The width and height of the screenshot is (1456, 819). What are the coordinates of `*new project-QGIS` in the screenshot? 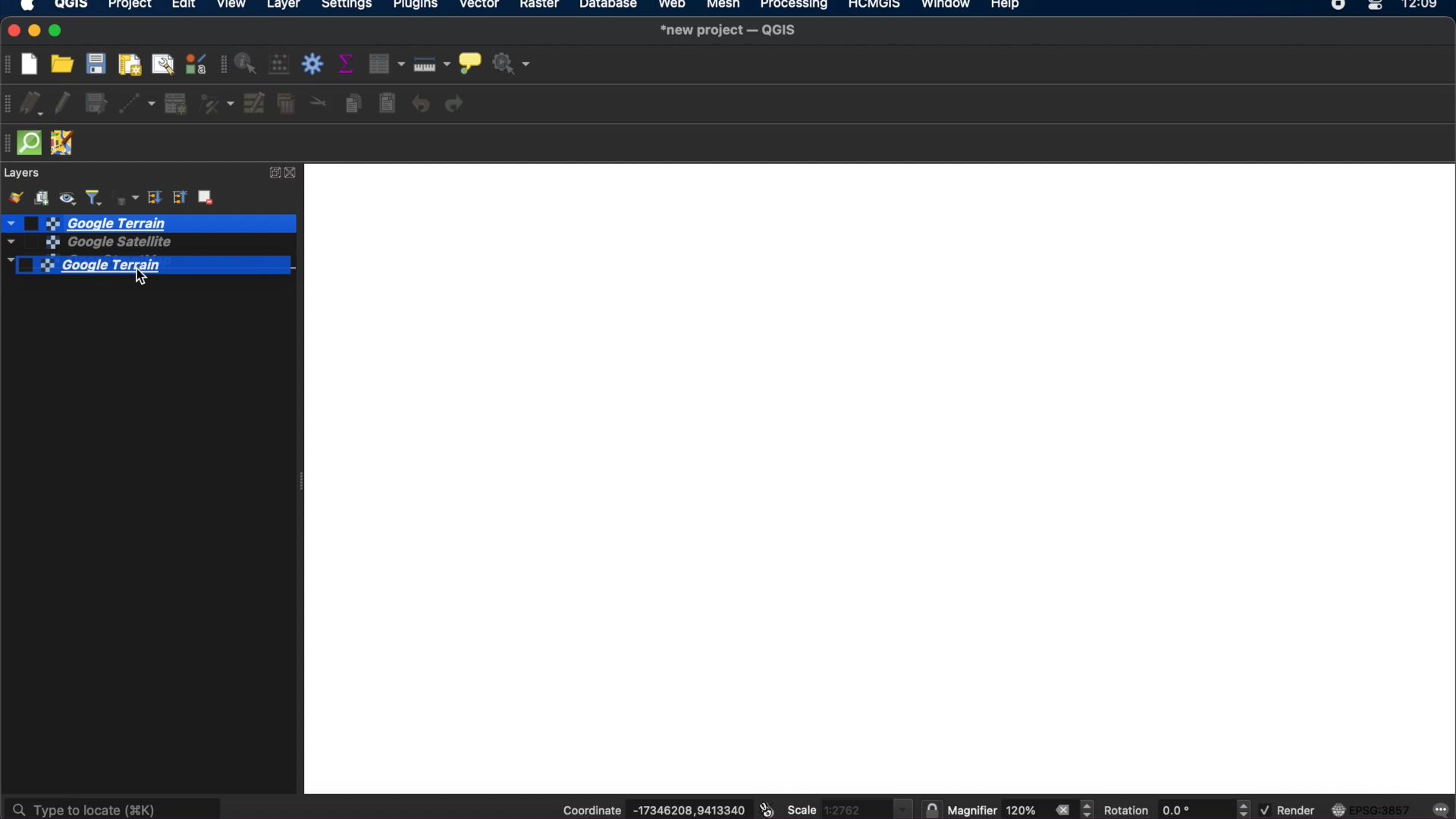 It's located at (730, 31).